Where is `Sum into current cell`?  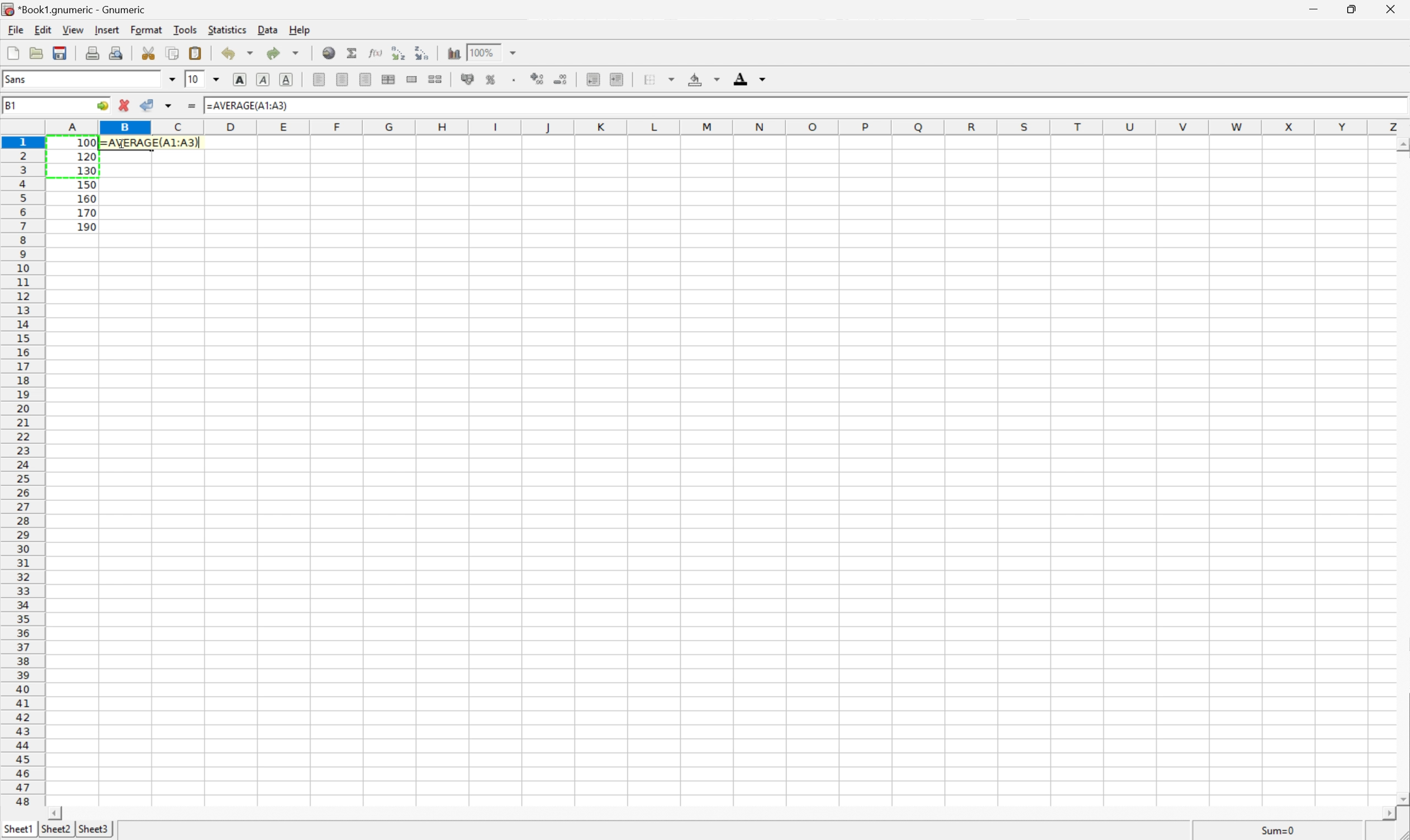 Sum into current cell is located at coordinates (350, 52).